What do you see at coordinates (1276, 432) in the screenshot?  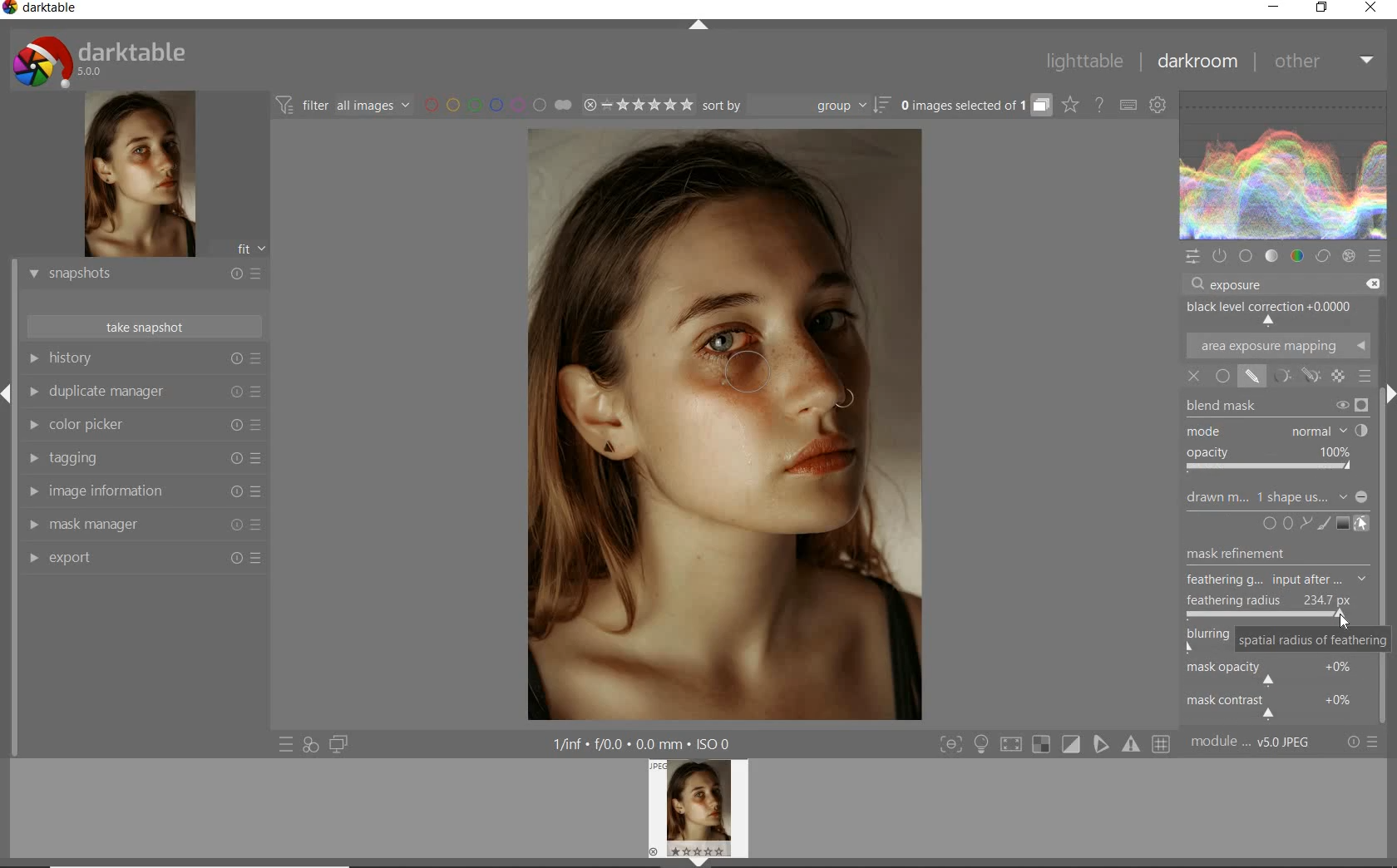 I see `MODE` at bounding box center [1276, 432].